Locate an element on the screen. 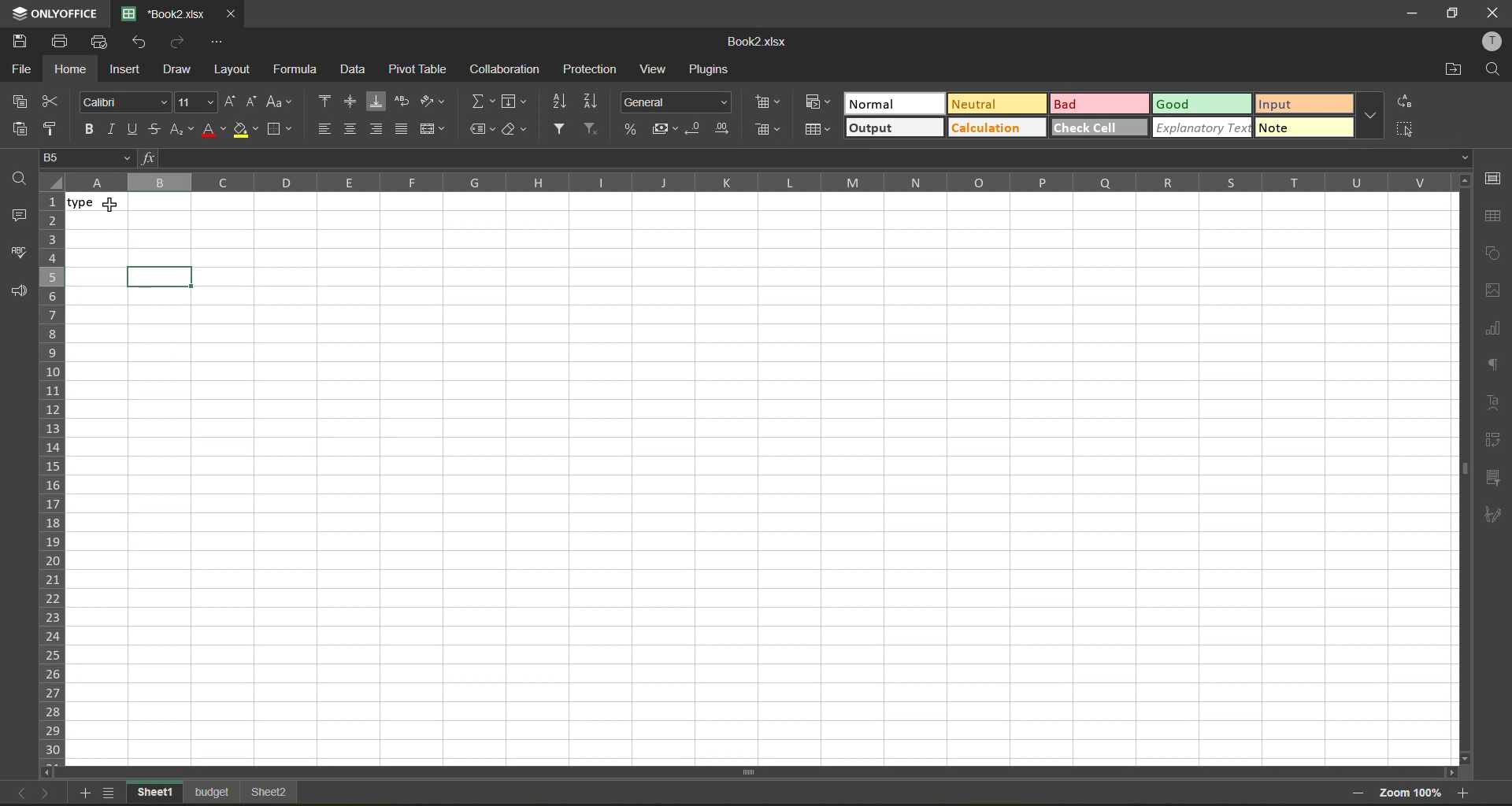 The image size is (1512, 806). cell address is located at coordinates (91, 157).